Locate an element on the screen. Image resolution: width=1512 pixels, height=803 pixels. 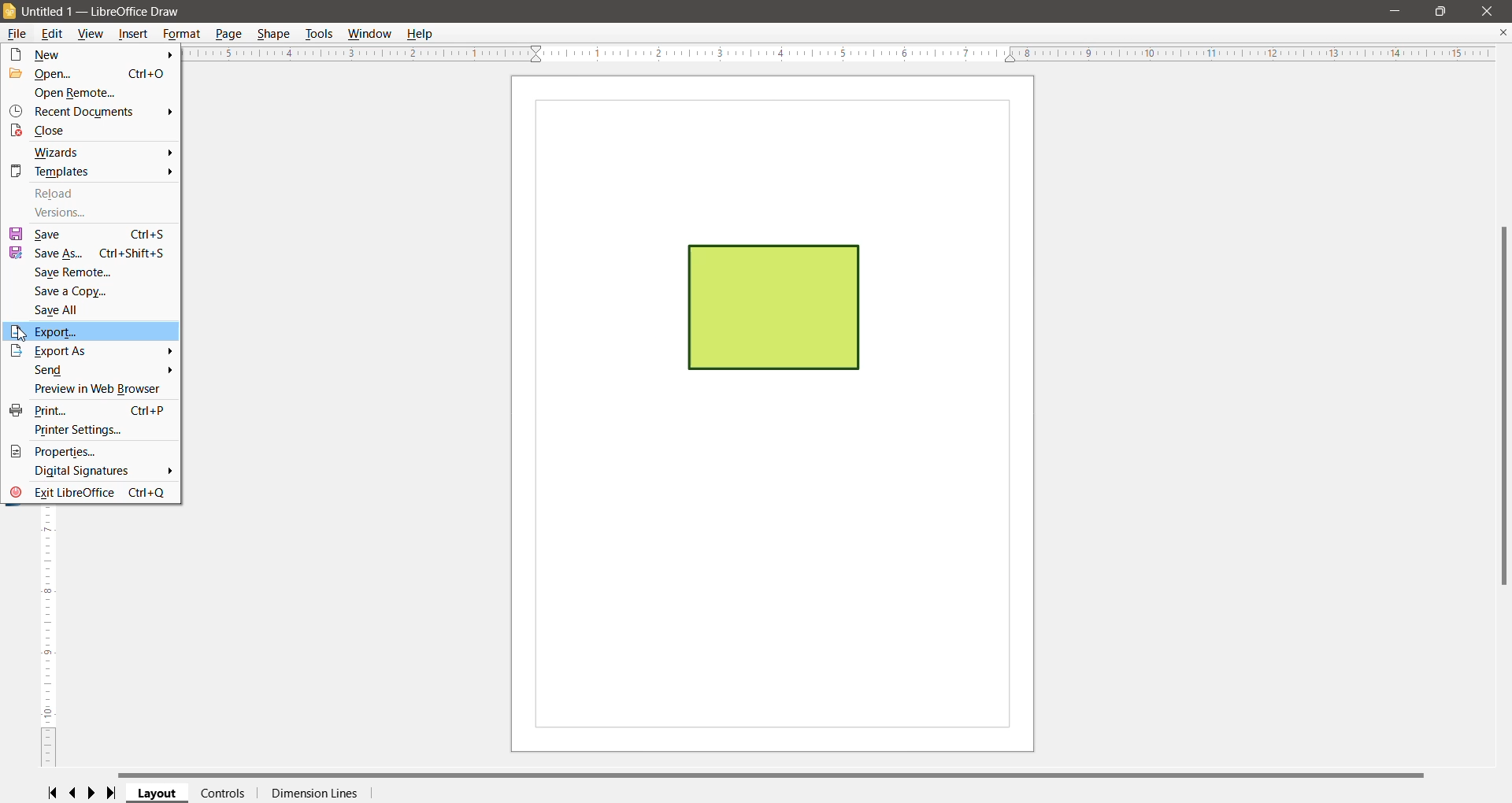
Digital Signatures is located at coordinates (83, 472).